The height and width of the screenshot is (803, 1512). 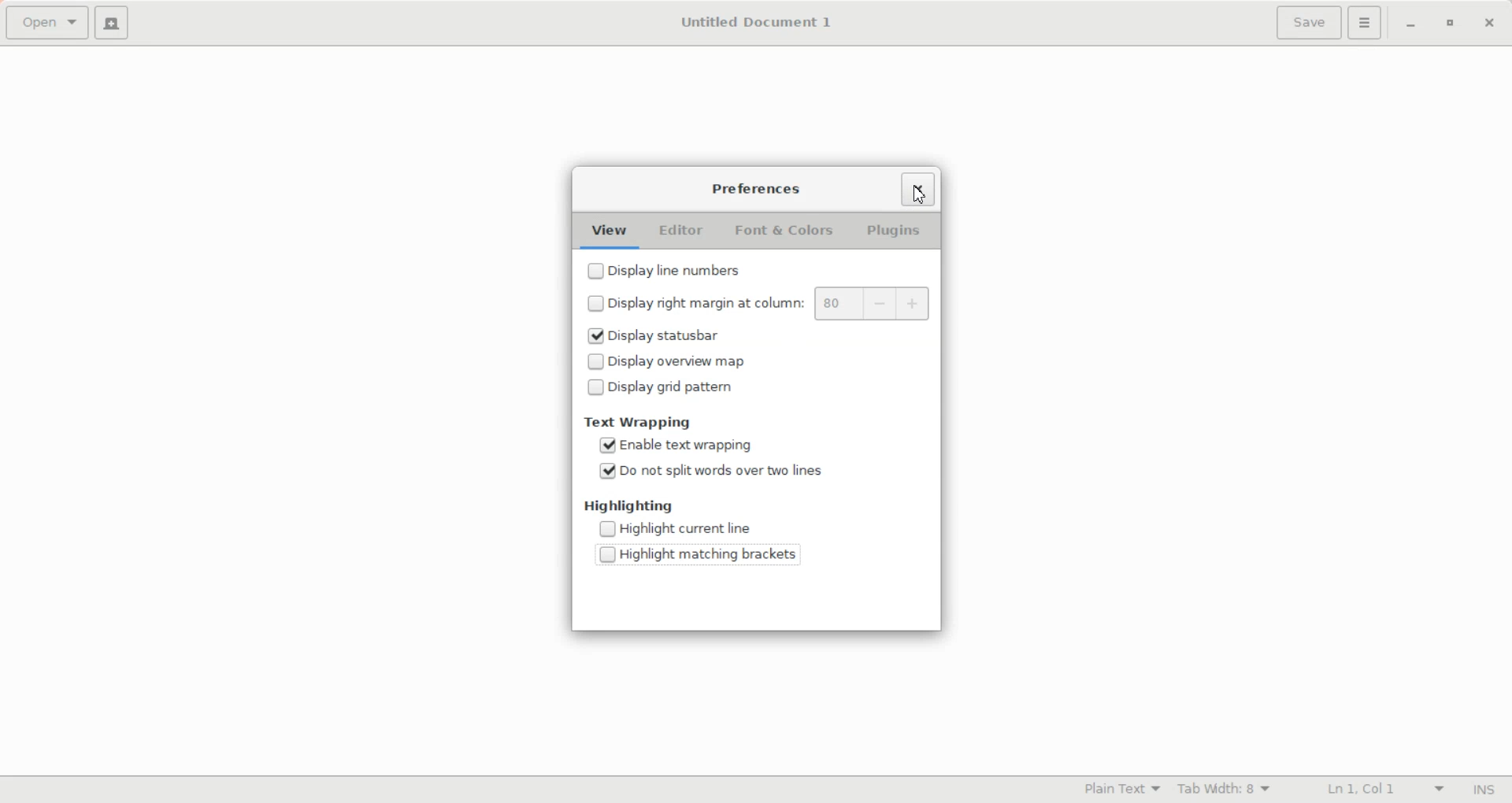 I want to click on Increase, so click(x=915, y=305).